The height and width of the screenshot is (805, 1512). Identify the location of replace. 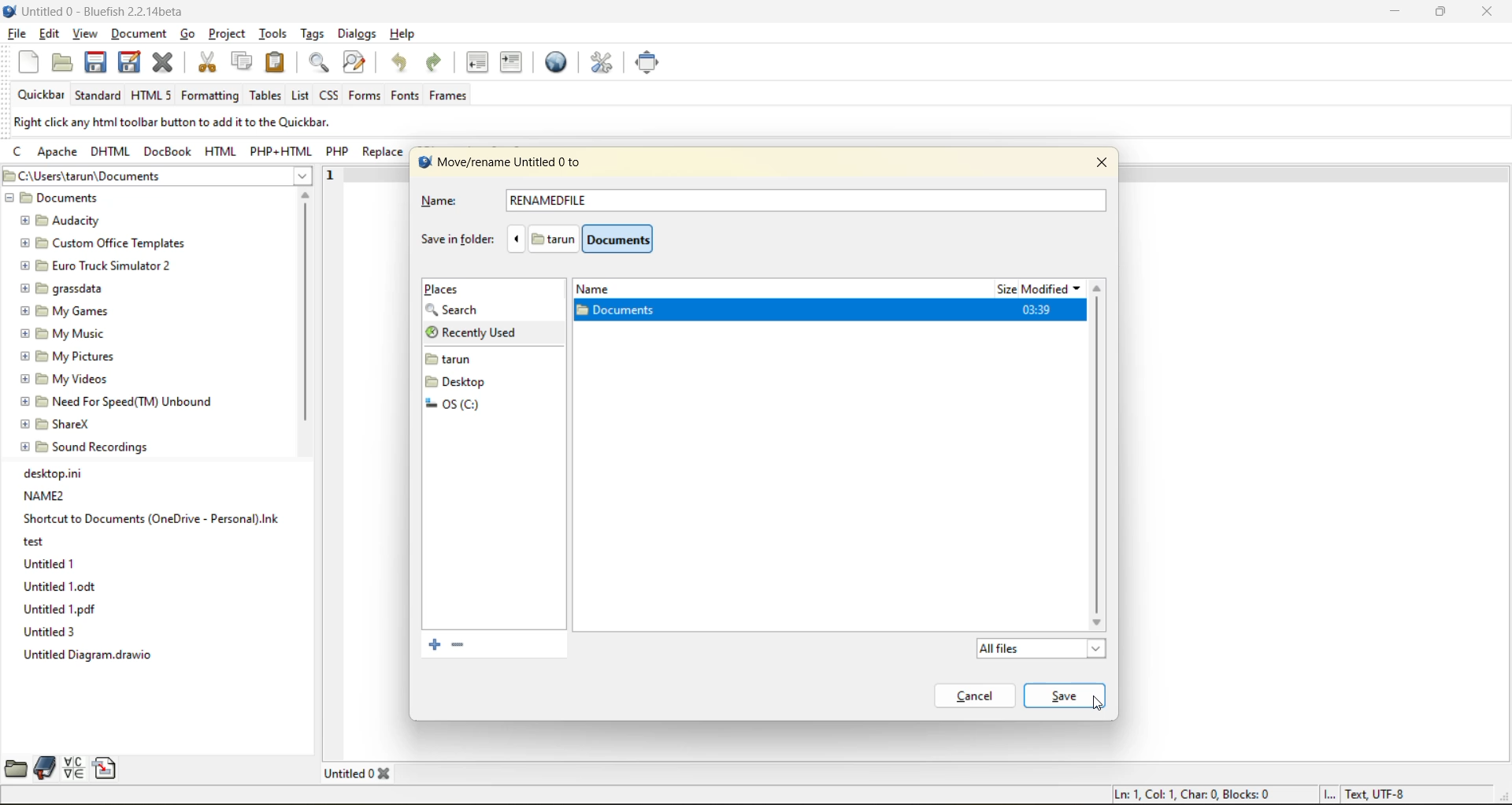
(381, 153).